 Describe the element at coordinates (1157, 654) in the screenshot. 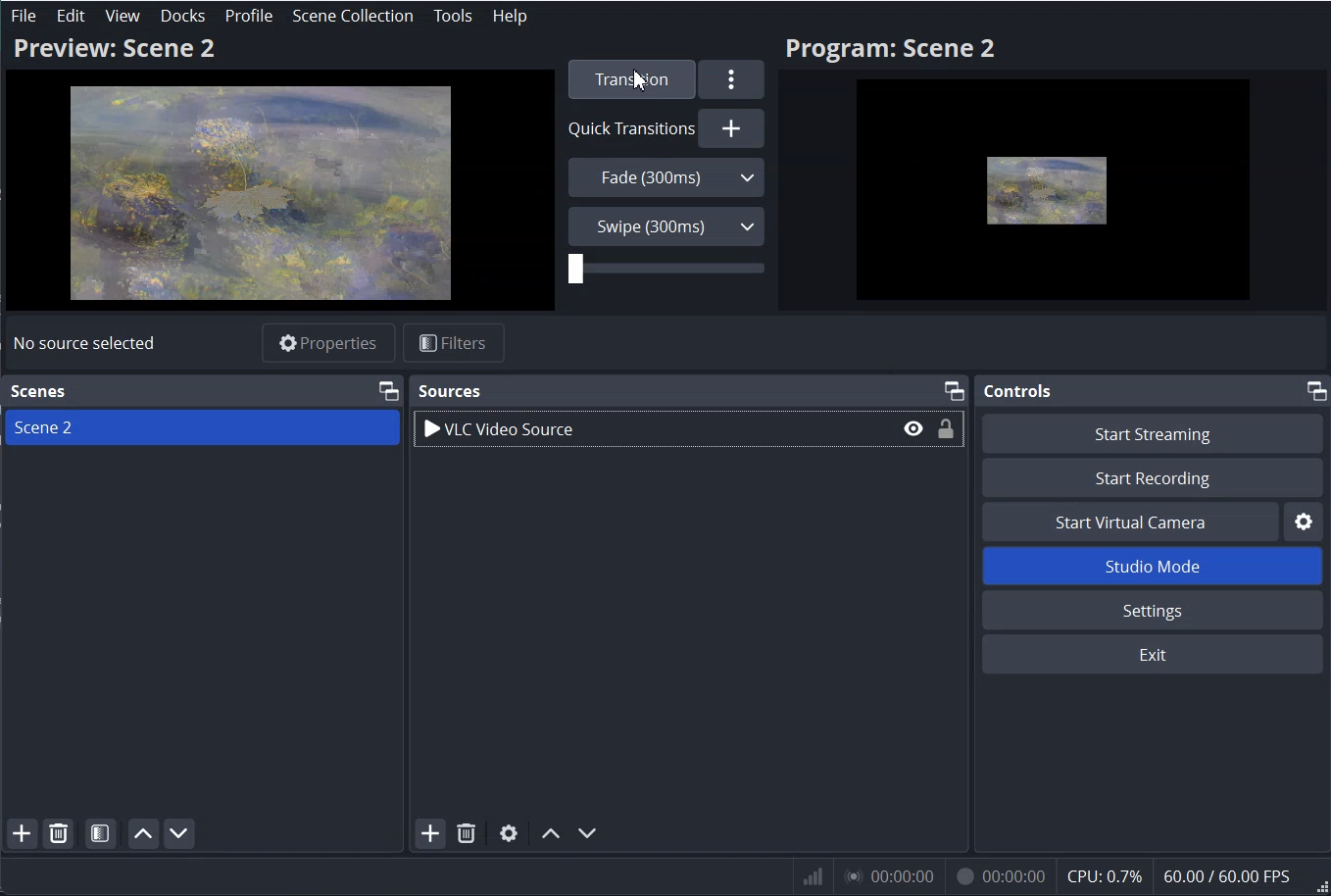

I see `Exit` at that location.